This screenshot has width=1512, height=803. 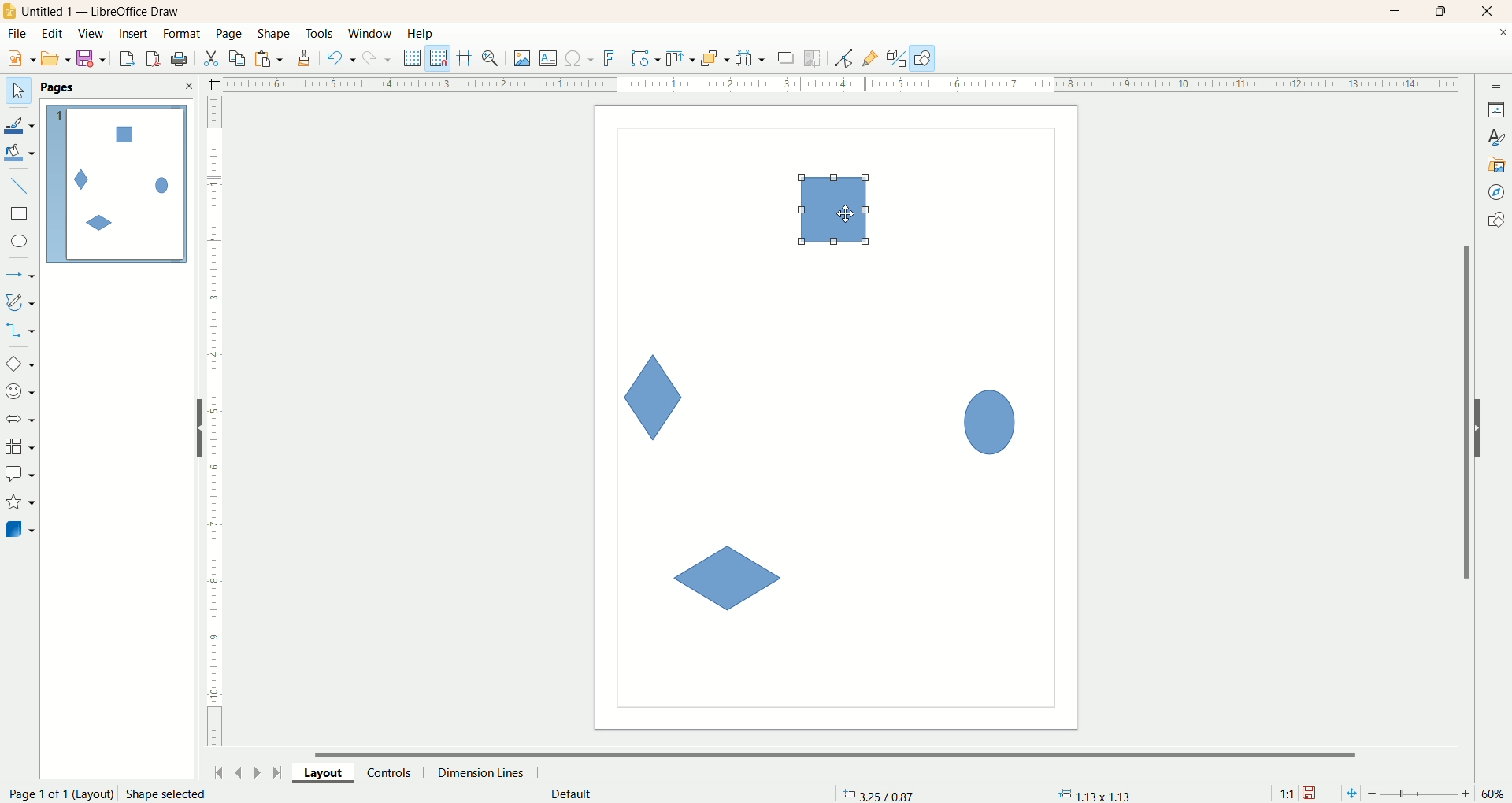 I want to click on first page, so click(x=216, y=770).